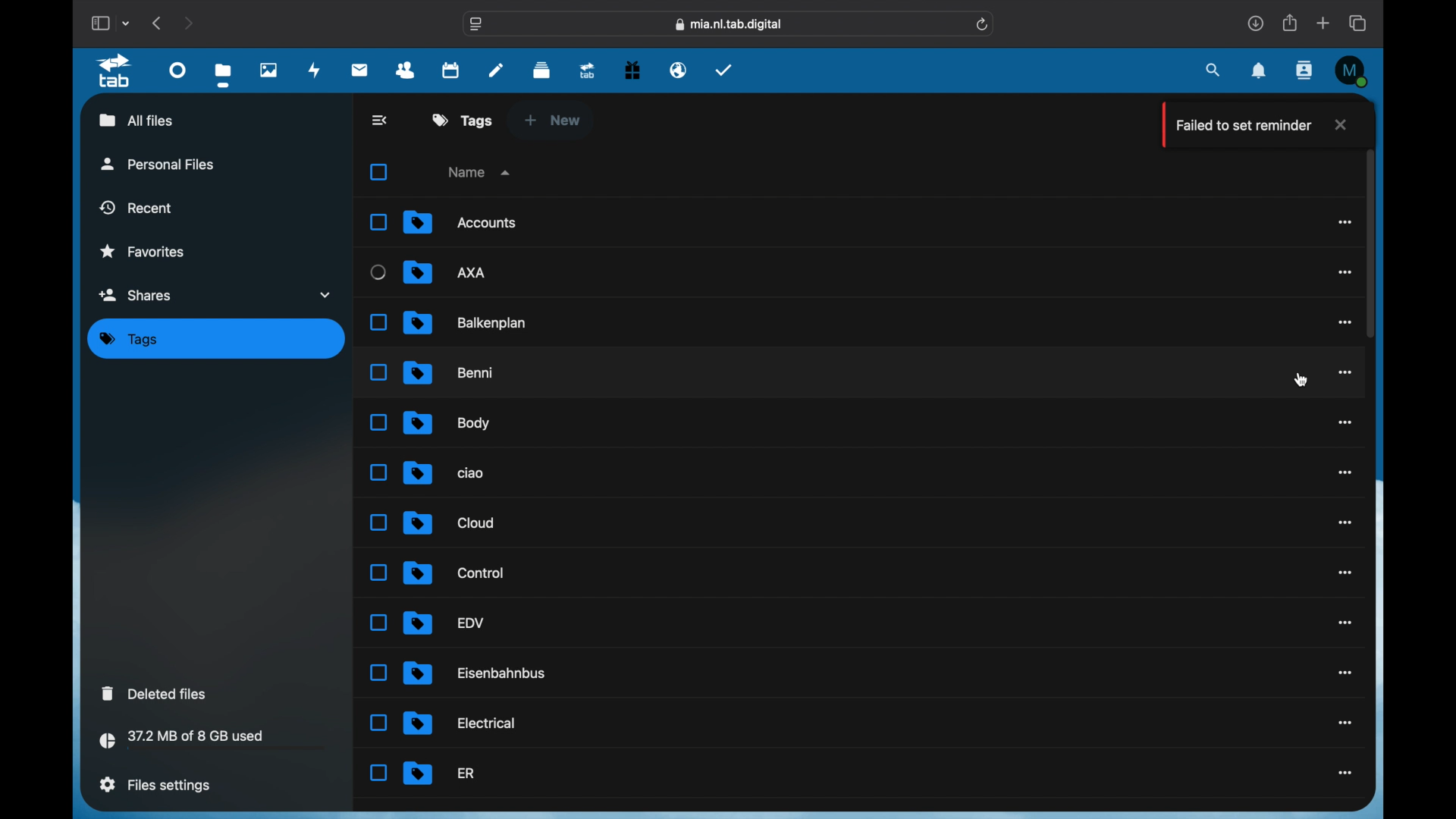 The height and width of the screenshot is (819, 1456). Describe the element at coordinates (1344, 623) in the screenshot. I see `more options` at that location.